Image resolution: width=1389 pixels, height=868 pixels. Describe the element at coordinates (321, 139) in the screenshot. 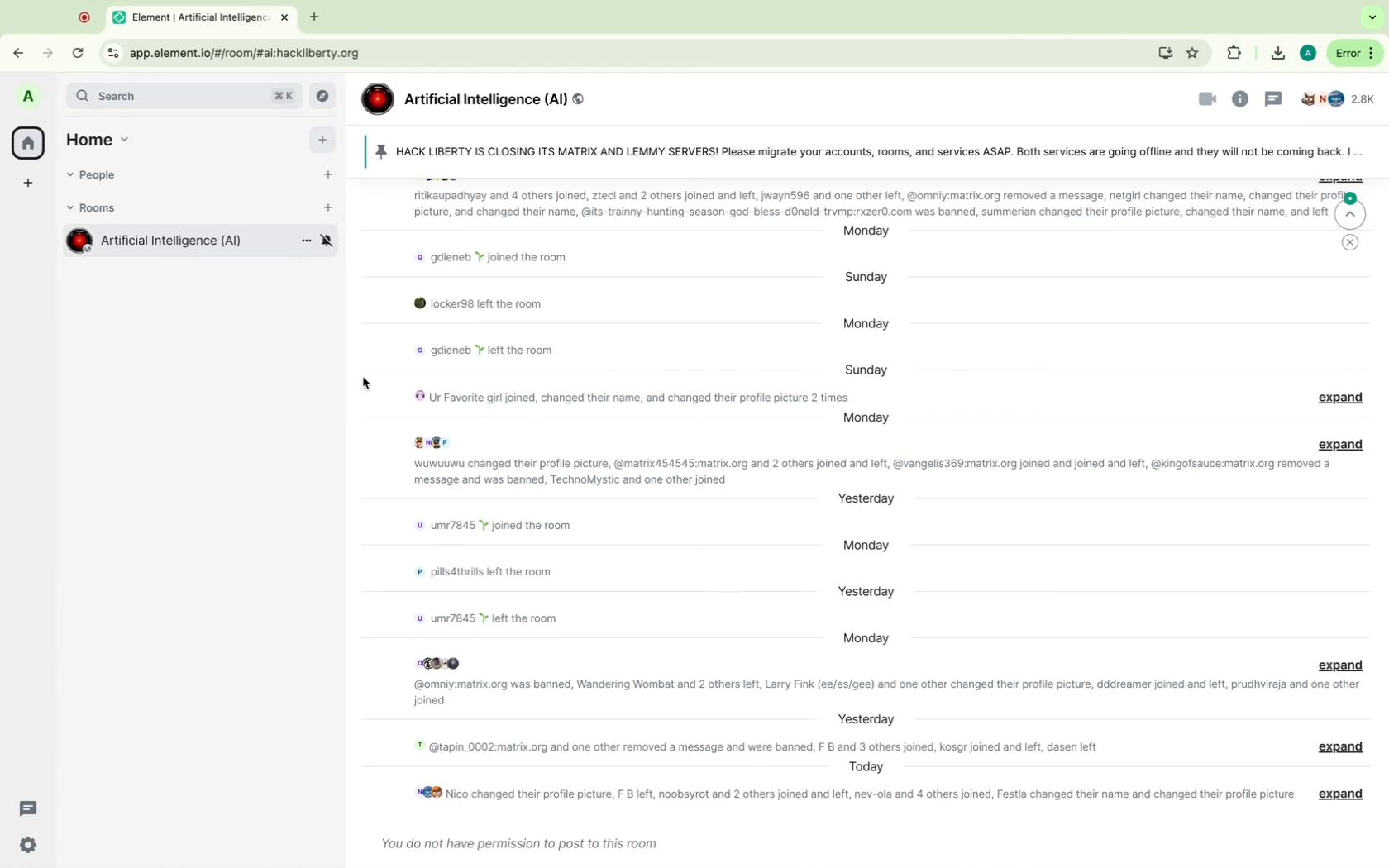

I see `add` at that location.